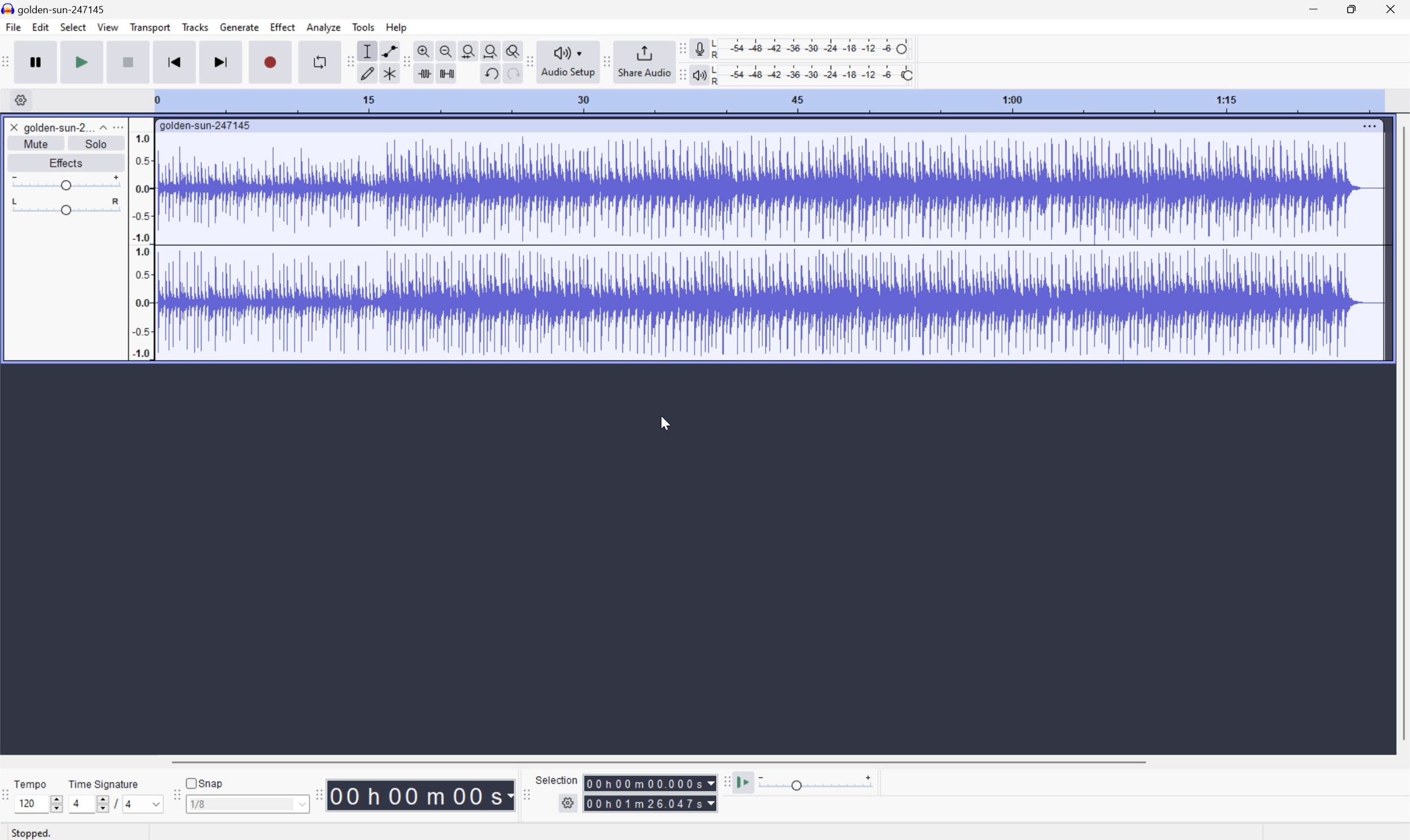  I want to click on Audacity play at speed toolbar, so click(725, 780).